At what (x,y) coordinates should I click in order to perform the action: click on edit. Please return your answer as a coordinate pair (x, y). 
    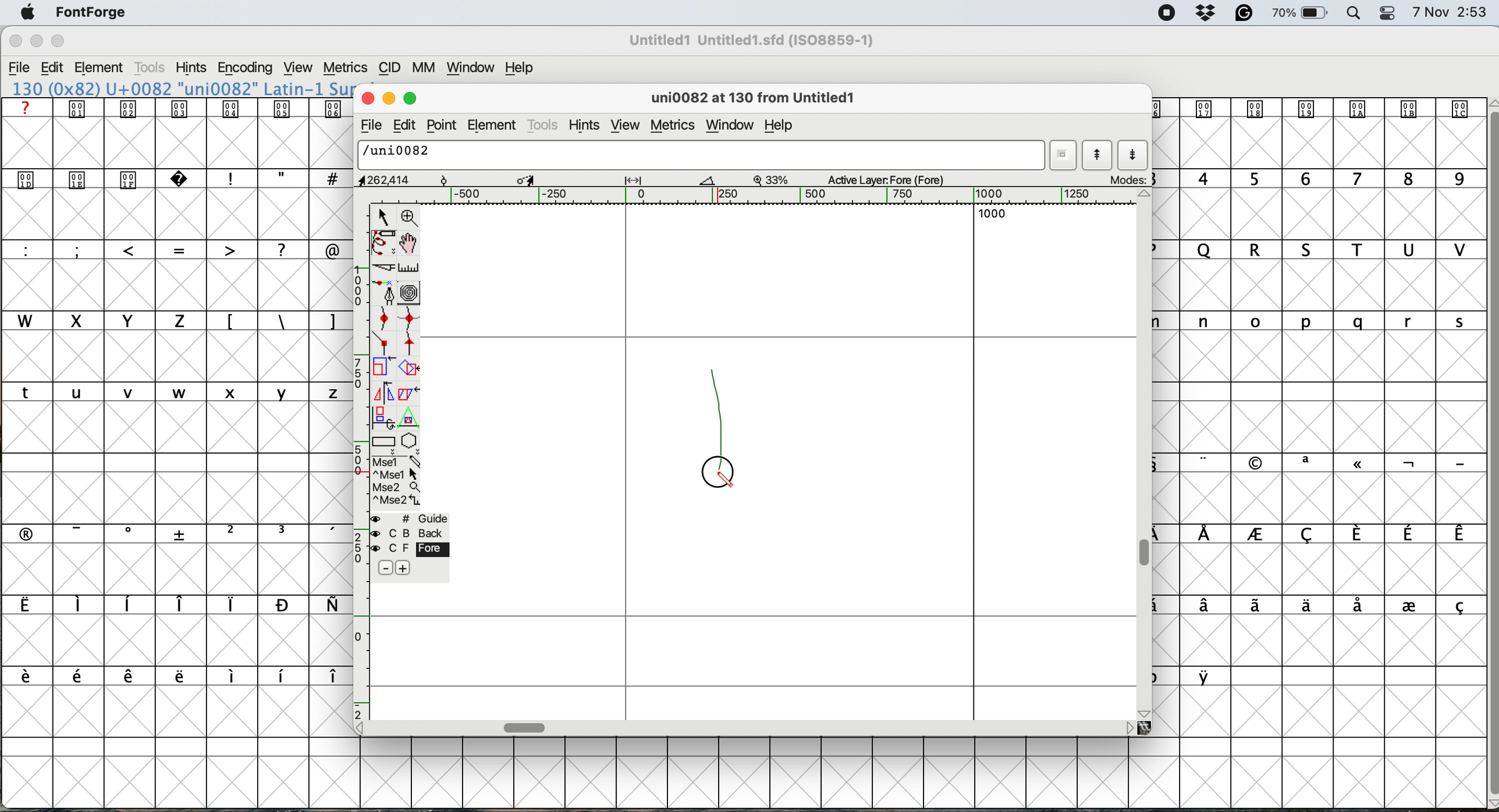
    Looking at the image, I should click on (58, 68).